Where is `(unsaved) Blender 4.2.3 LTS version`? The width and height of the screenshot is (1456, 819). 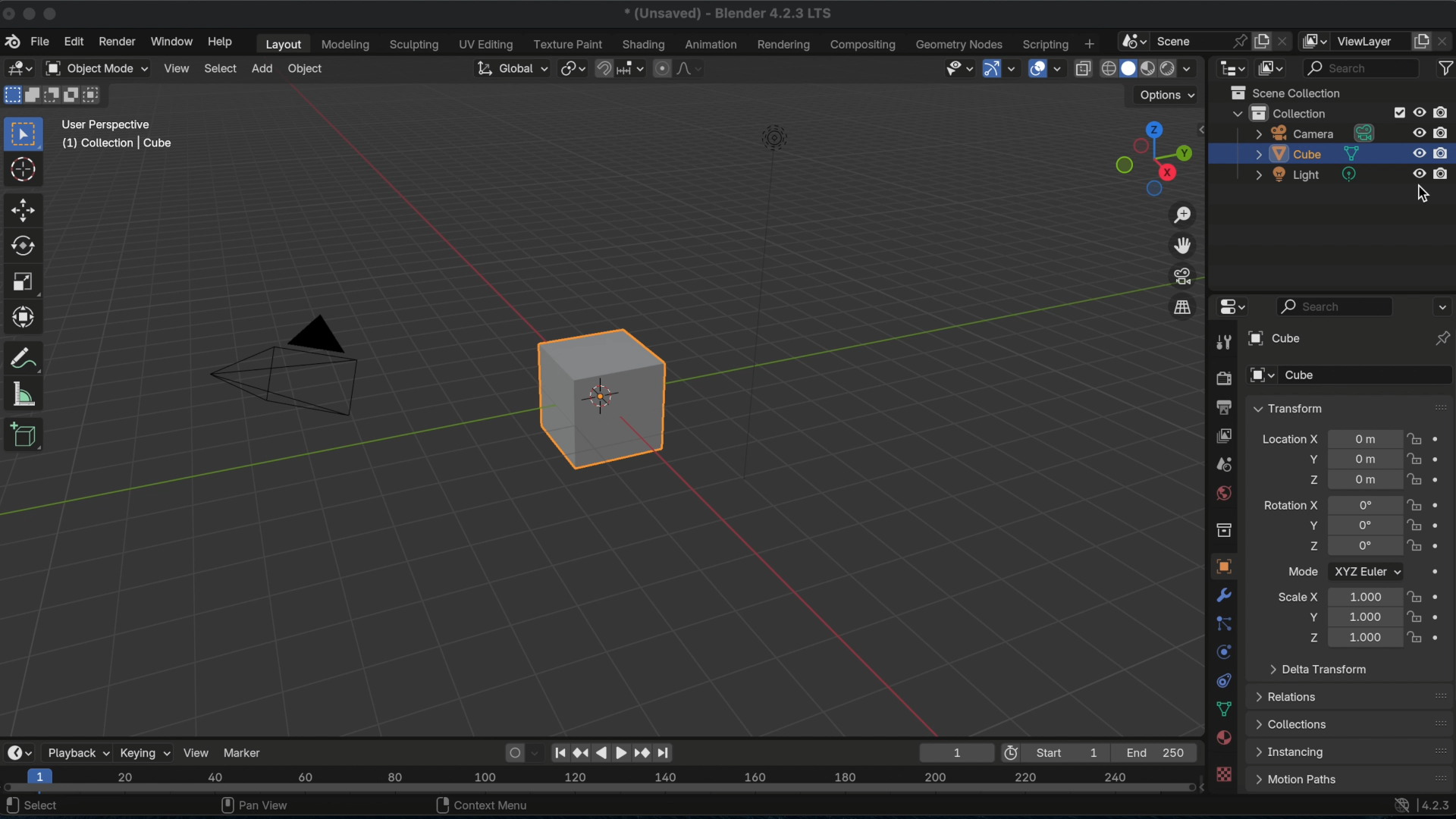
(unsaved) Blender 4.2.3 LTS version is located at coordinates (726, 13).